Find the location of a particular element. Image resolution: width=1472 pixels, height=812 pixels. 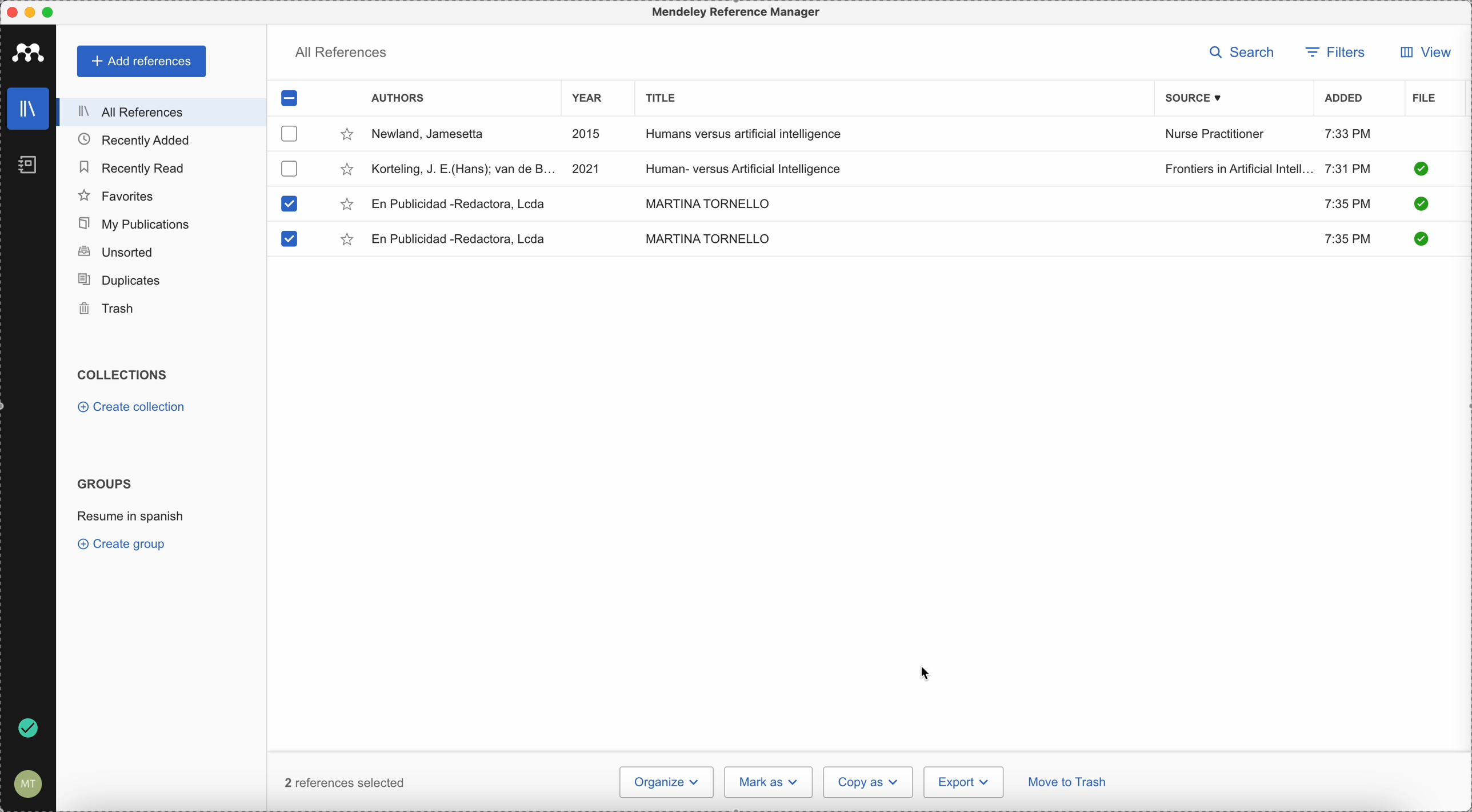

checkbox selected is located at coordinates (289, 204).